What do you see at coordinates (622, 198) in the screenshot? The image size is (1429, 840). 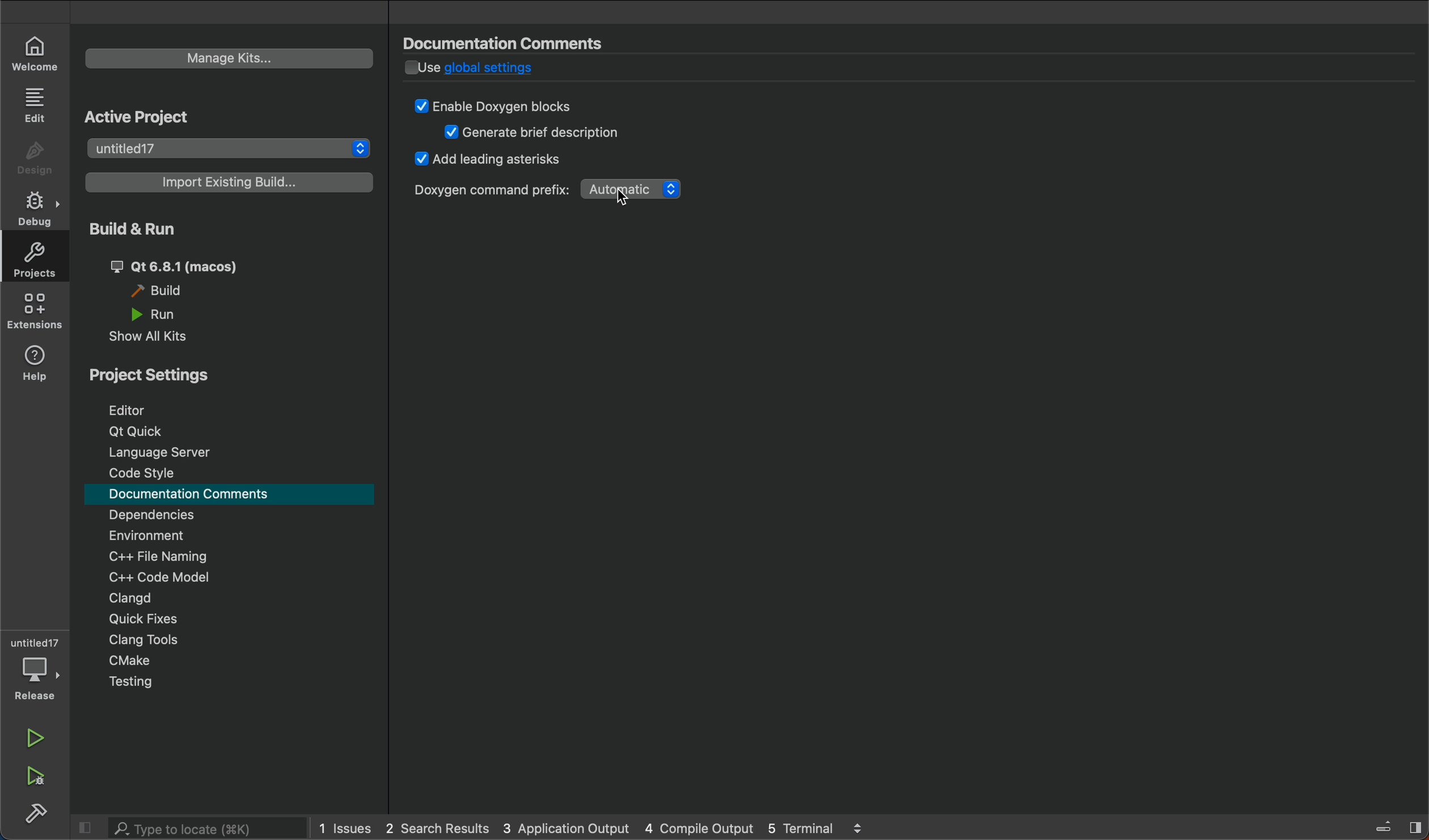 I see `cursor` at bounding box center [622, 198].